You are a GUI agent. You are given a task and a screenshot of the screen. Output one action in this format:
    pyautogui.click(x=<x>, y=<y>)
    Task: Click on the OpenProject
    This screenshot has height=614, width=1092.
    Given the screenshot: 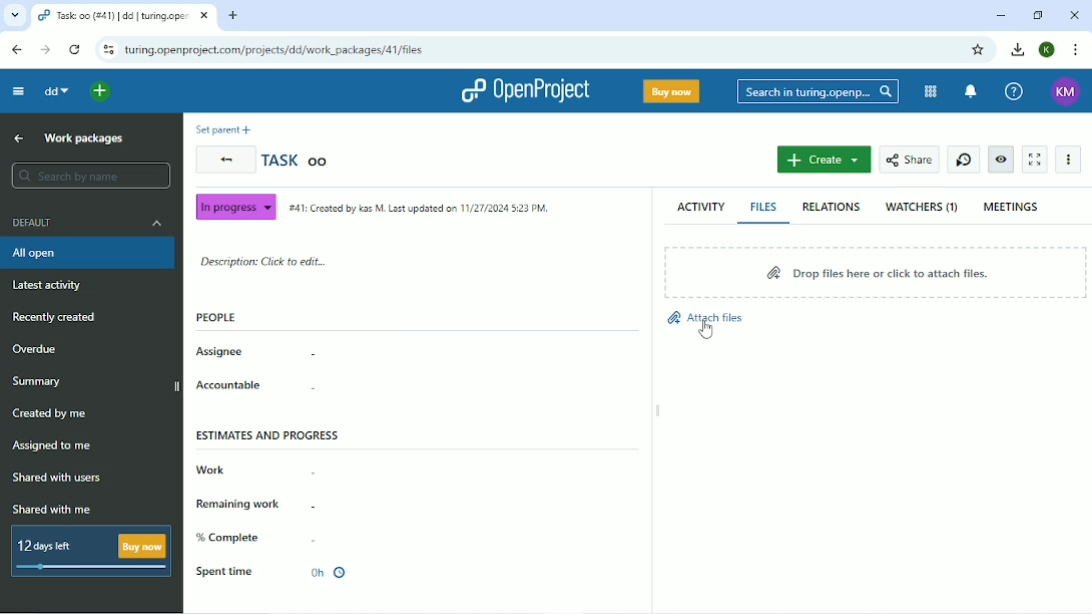 What is the action you would take?
    pyautogui.click(x=528, y=90)
    